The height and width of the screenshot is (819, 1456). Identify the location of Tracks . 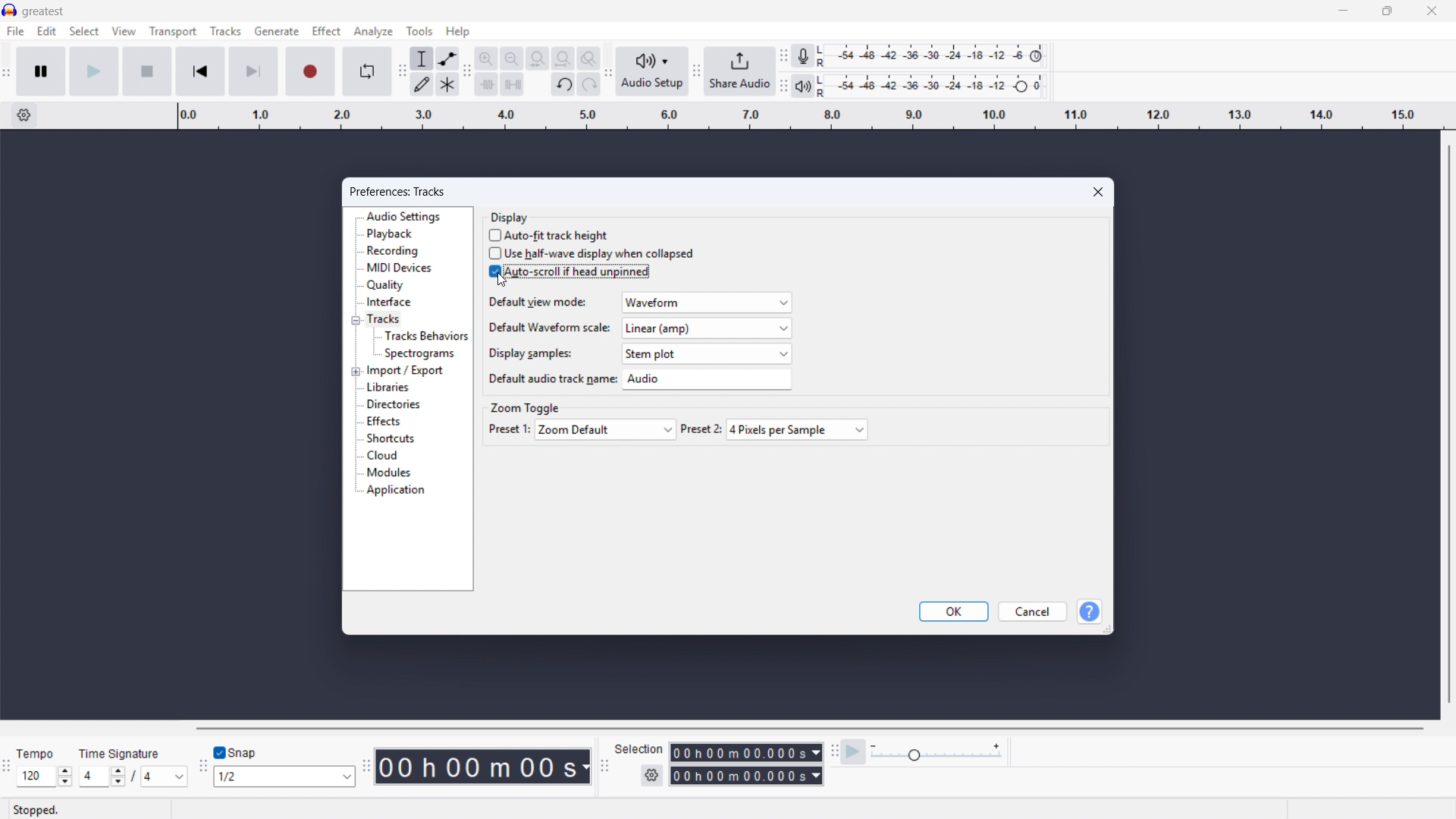
(384, 319).